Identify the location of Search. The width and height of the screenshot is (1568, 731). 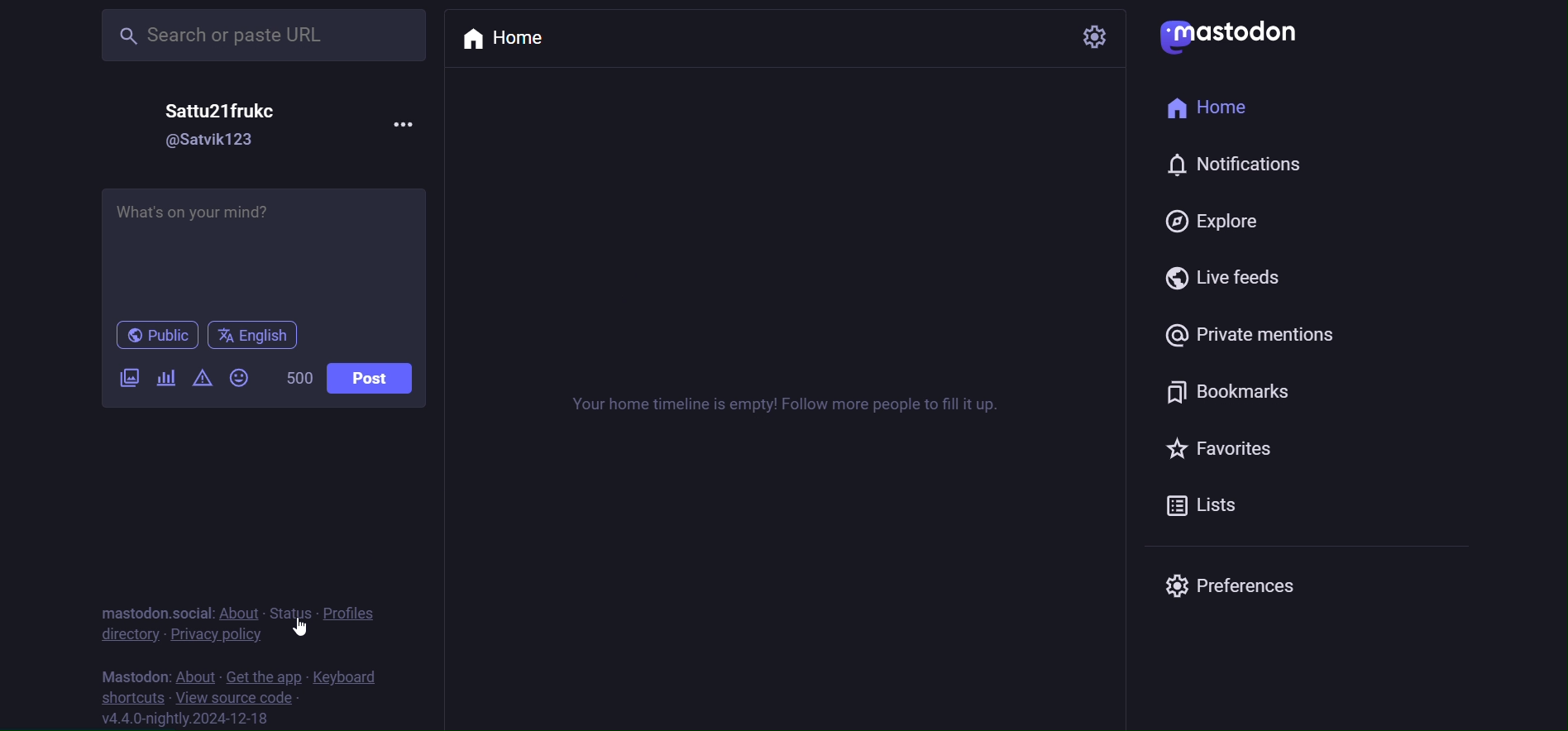
(262, 35).